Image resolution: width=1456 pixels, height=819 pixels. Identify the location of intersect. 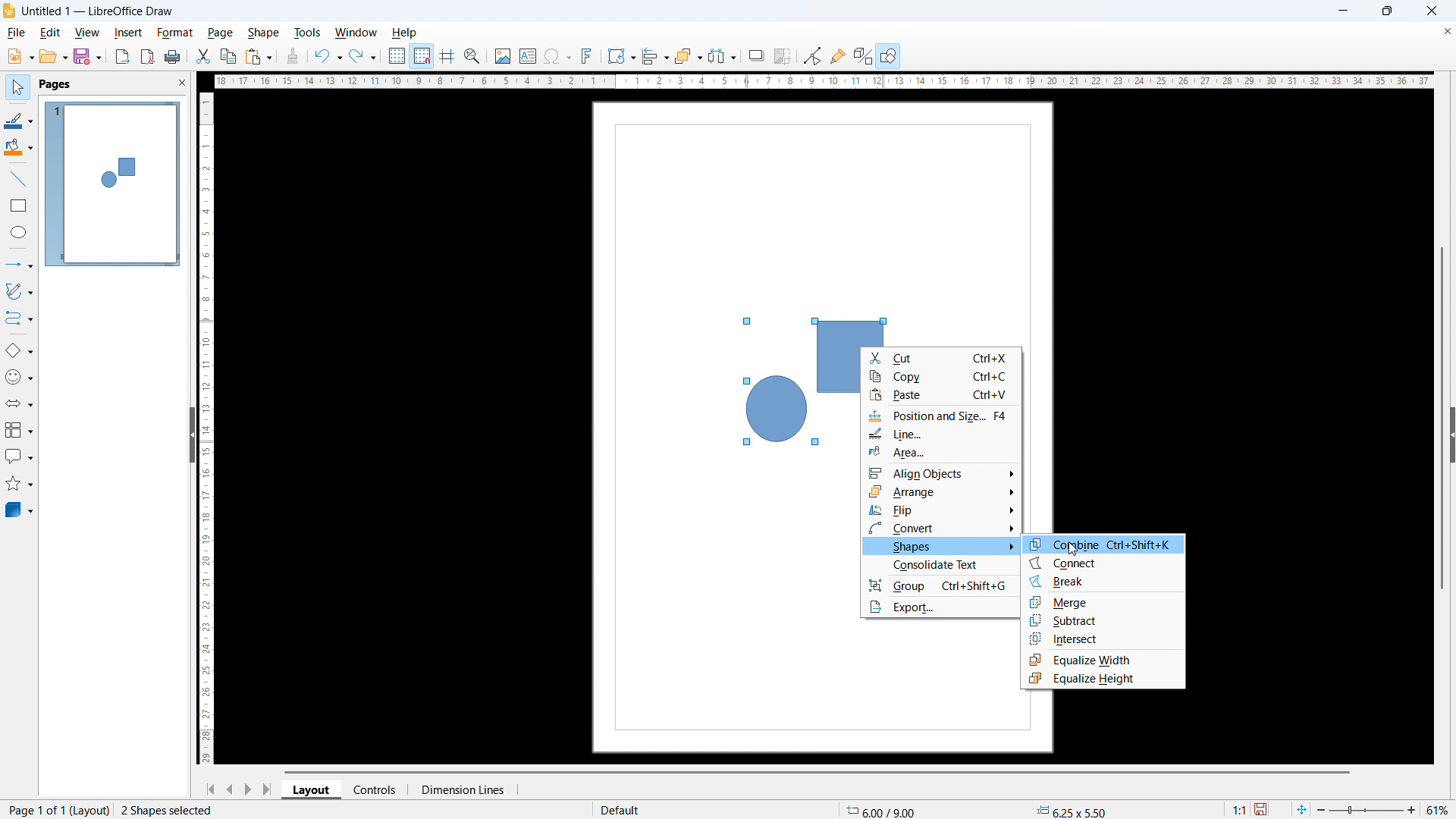
(1104, 639).